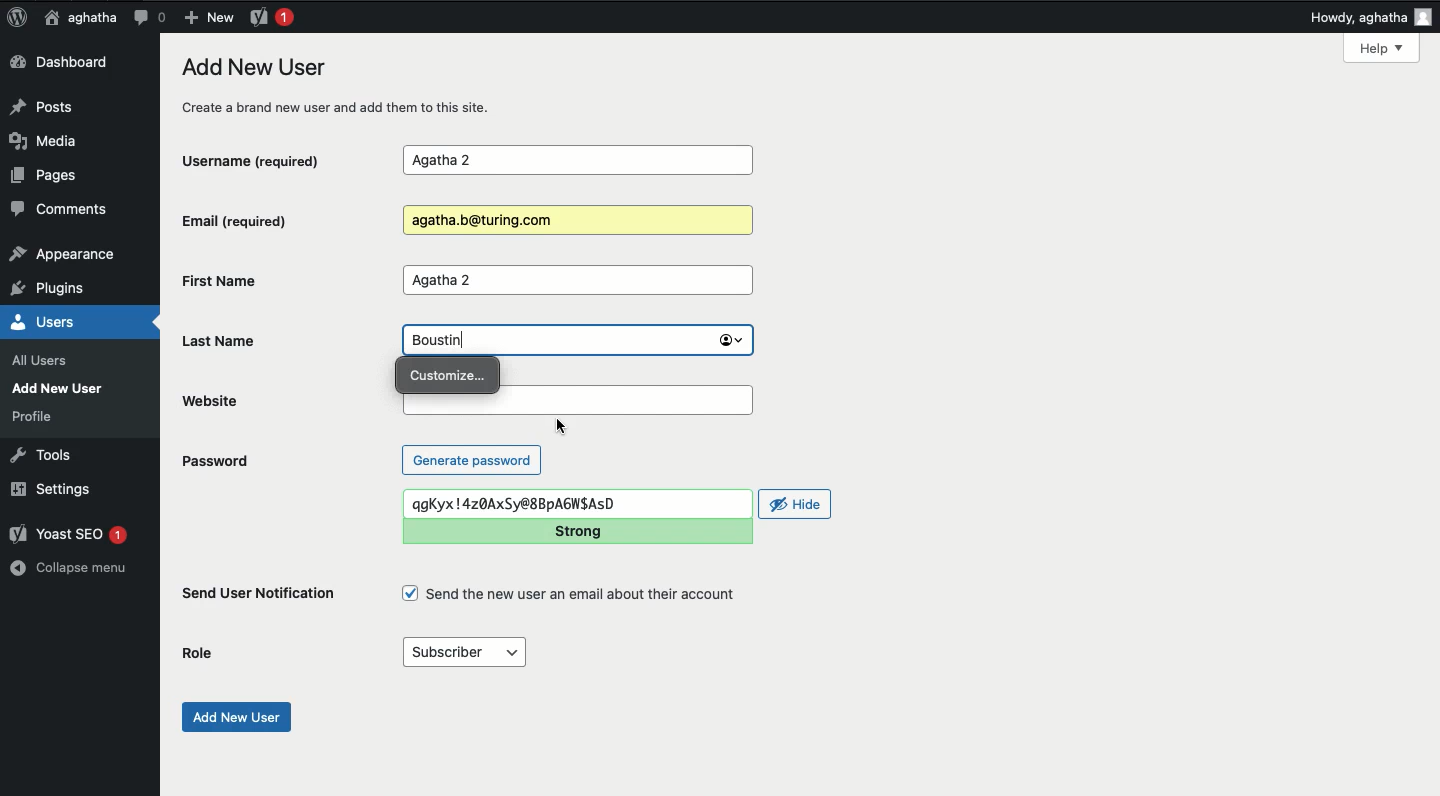 The height and width of the screenshot is (796, 1440). I want to click on appearance, so click(63, 256).